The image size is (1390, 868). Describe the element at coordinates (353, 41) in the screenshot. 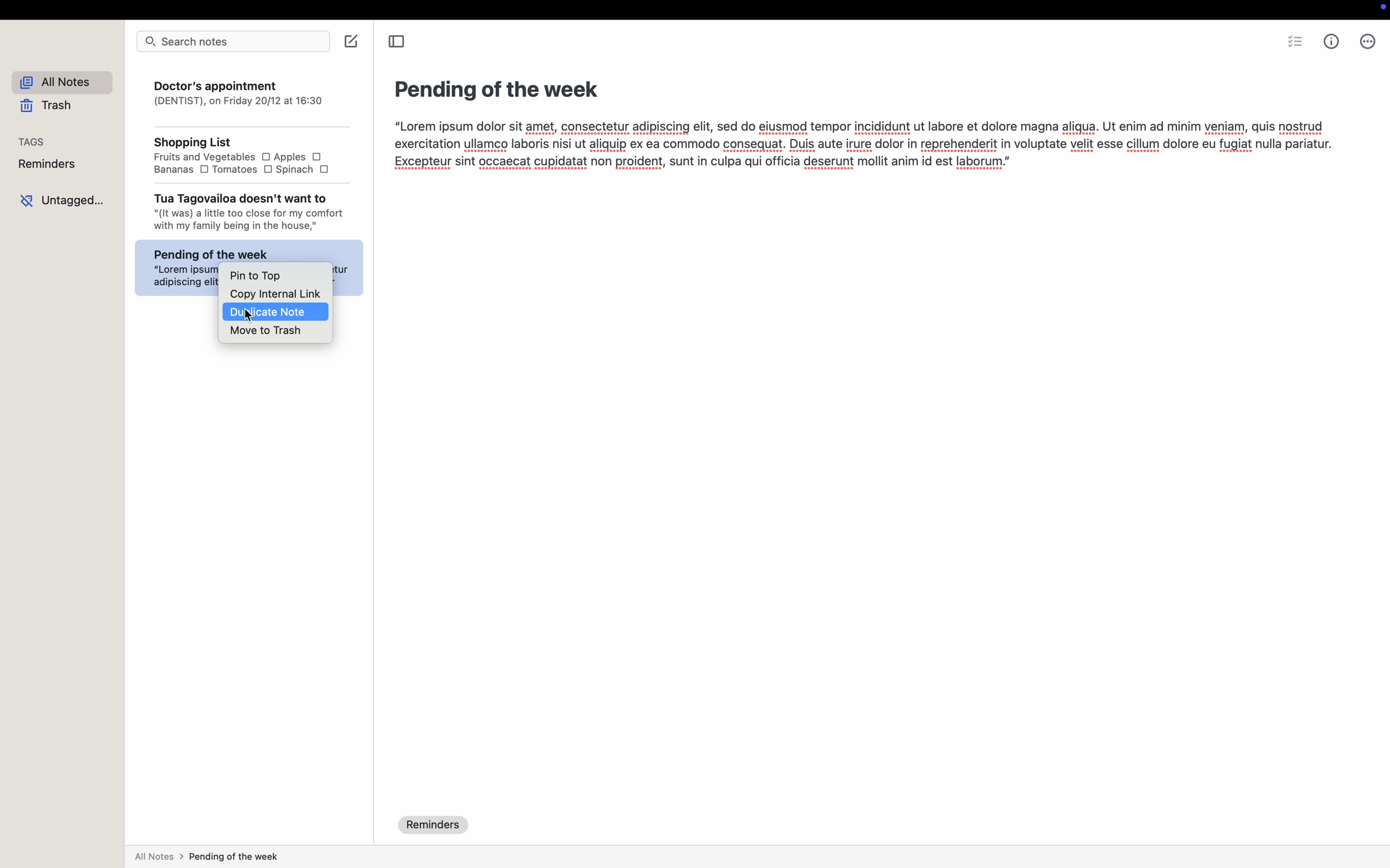

I see `create note` at that location.